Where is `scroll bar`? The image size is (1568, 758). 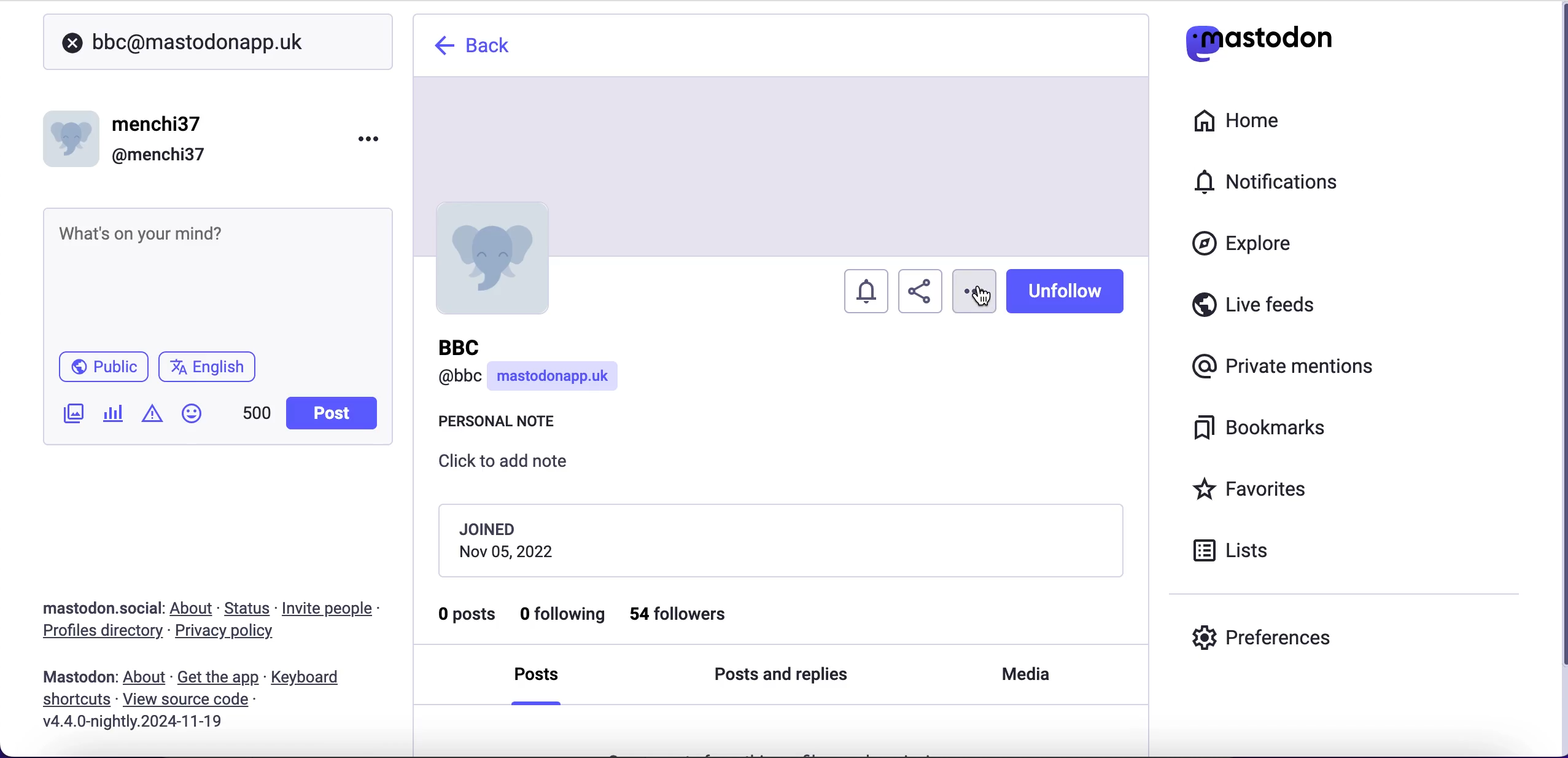
scroll bar is located at coordinates (1559, 377).